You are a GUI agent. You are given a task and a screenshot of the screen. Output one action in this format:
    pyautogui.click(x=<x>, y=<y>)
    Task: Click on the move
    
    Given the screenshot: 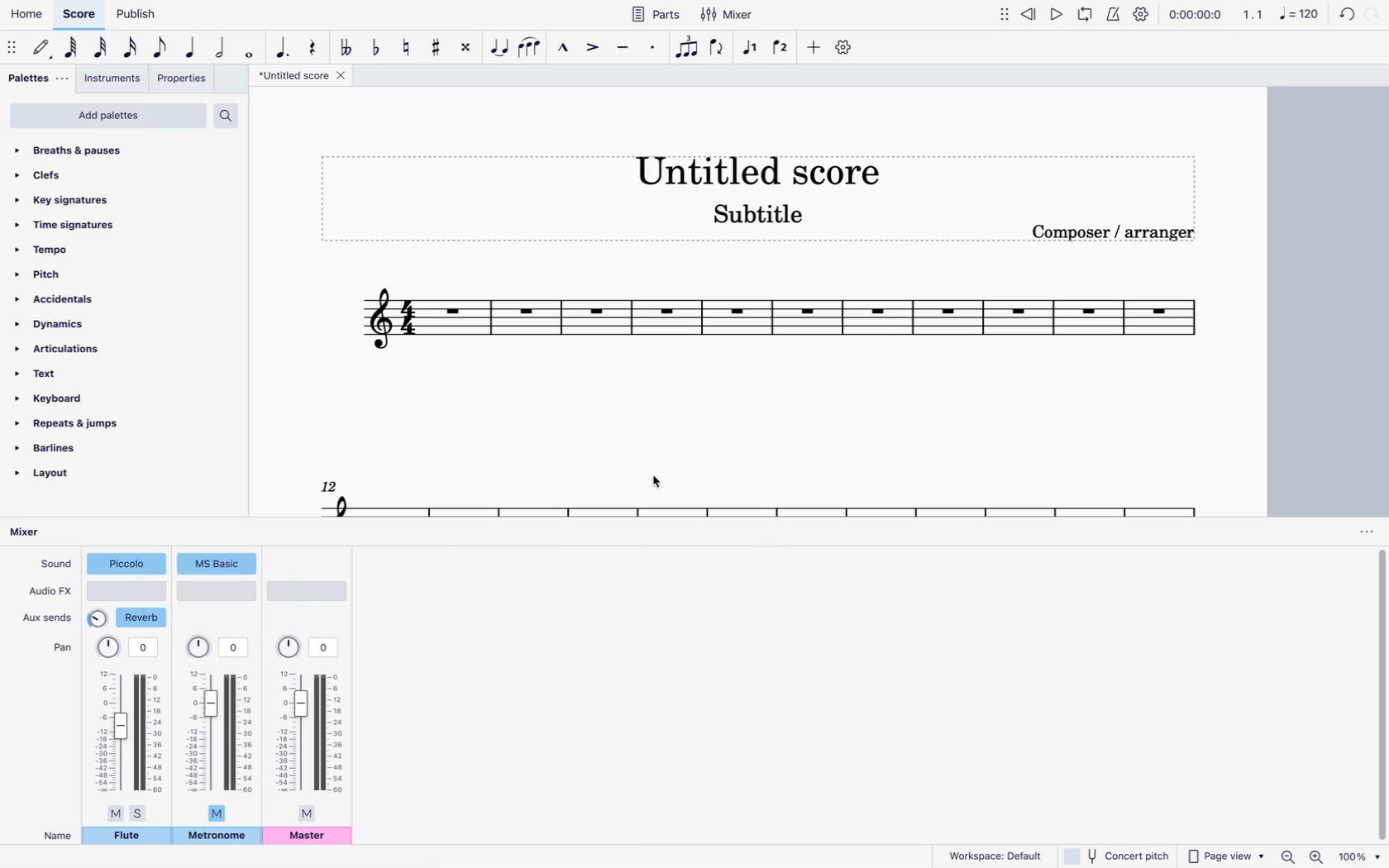 What is the action you would take?
    pyautogui.click(x=13, y=46)
    